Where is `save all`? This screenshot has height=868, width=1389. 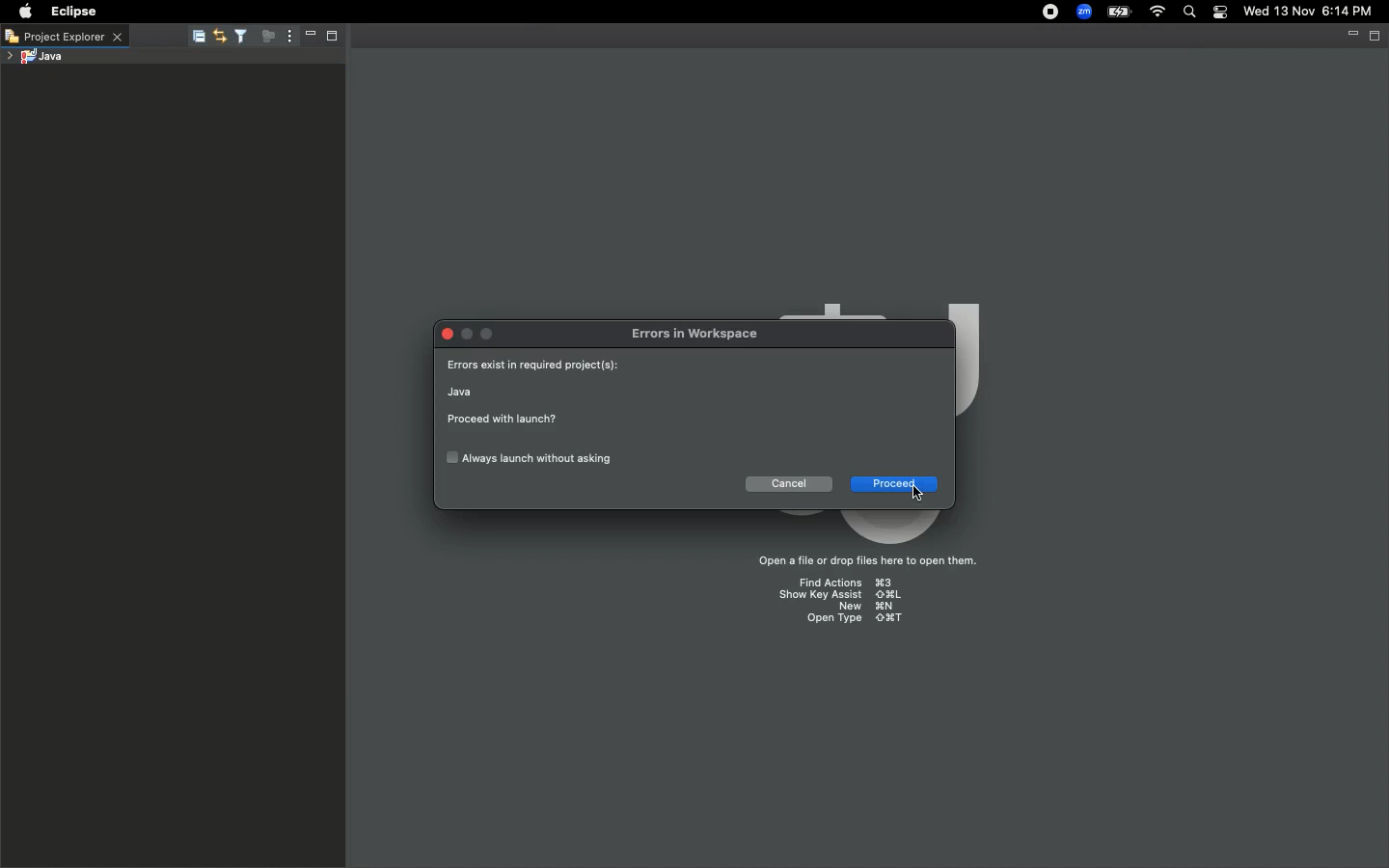 save all is located at coordinates (197, 39).